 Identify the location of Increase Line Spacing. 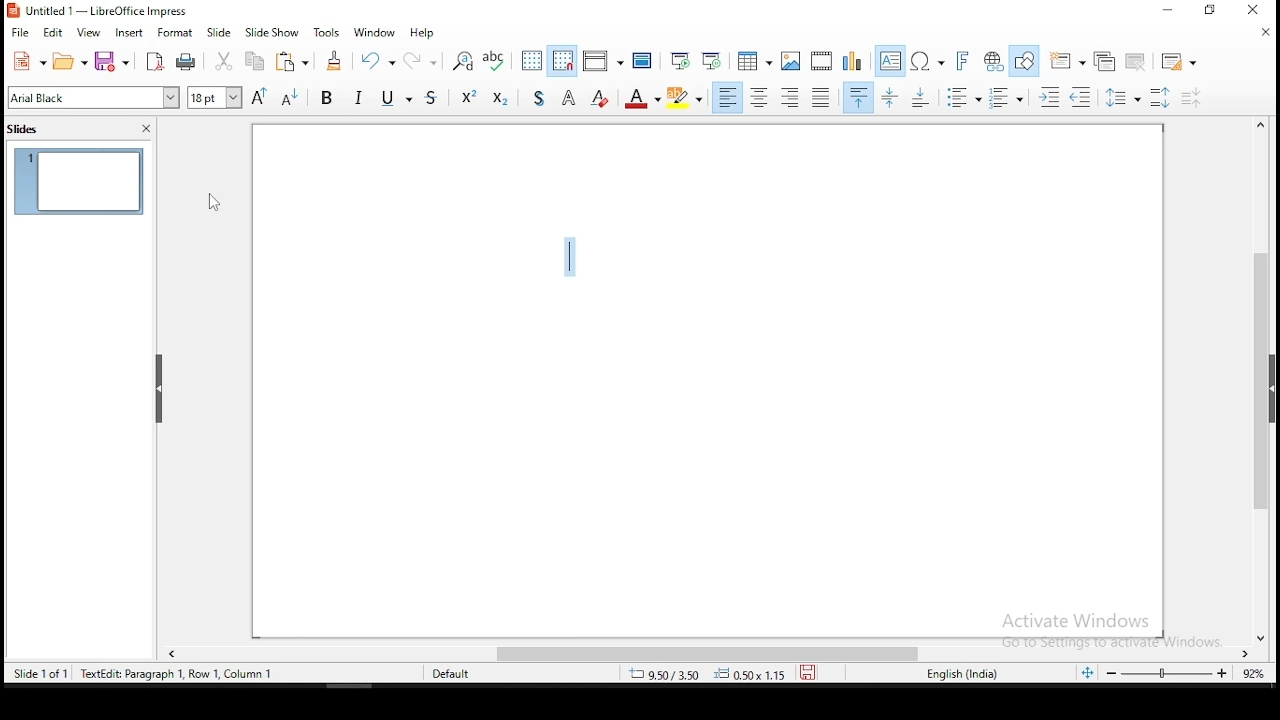
(1163, 97).